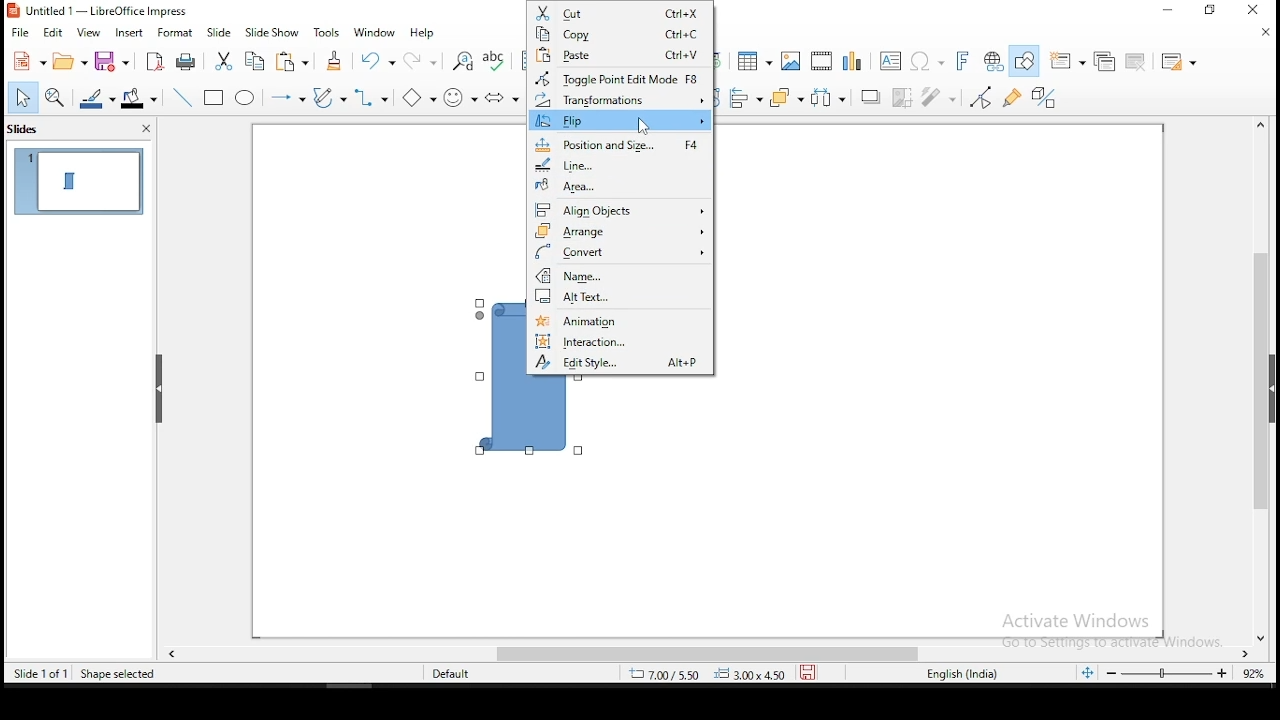  I want to click on zoom level, so click(1251, 672).